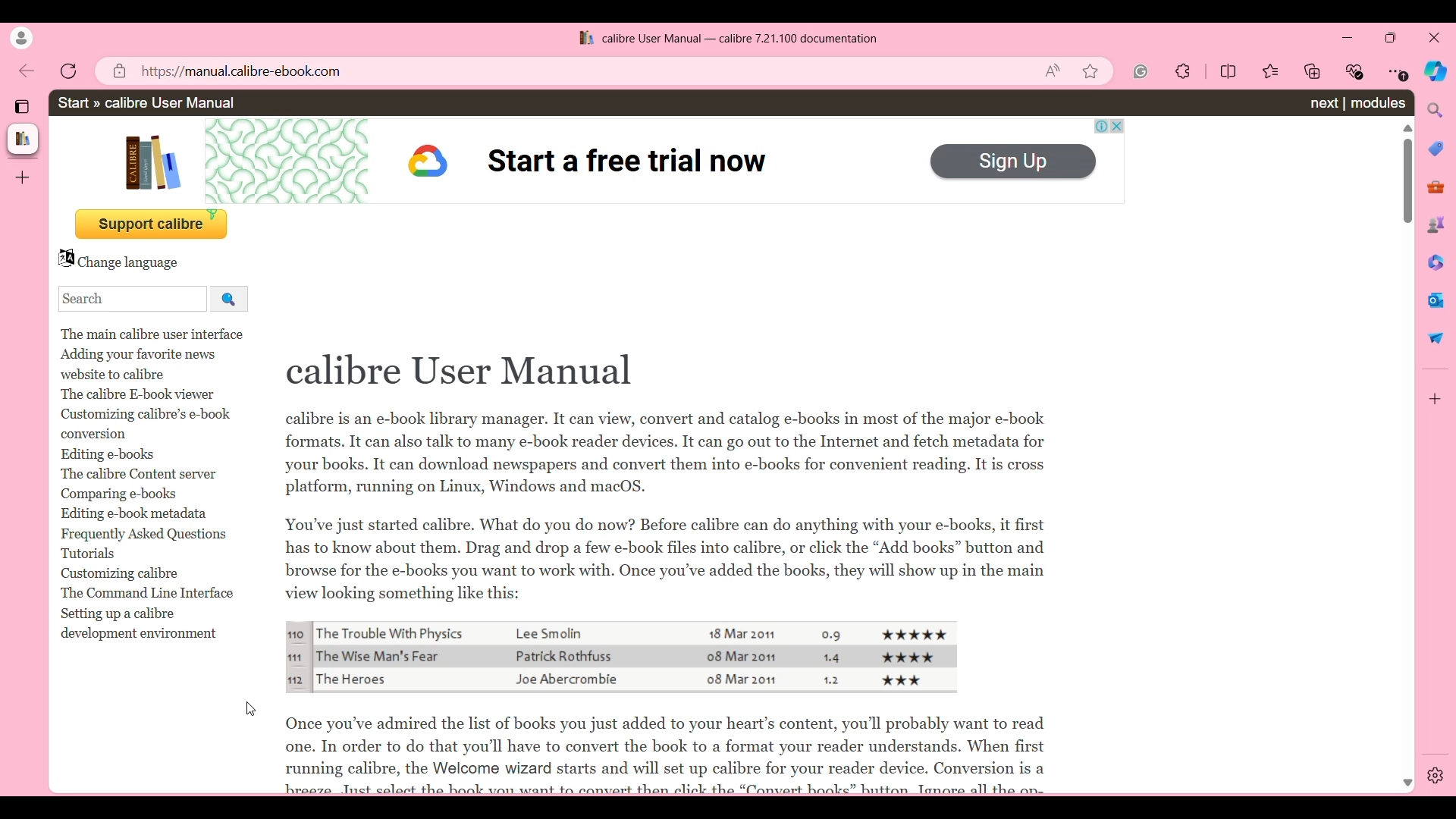 The image size is (1456, 819). Describe the element at coordinates (584, 71) in the screenshot. I see `Web link to current page` at that location.